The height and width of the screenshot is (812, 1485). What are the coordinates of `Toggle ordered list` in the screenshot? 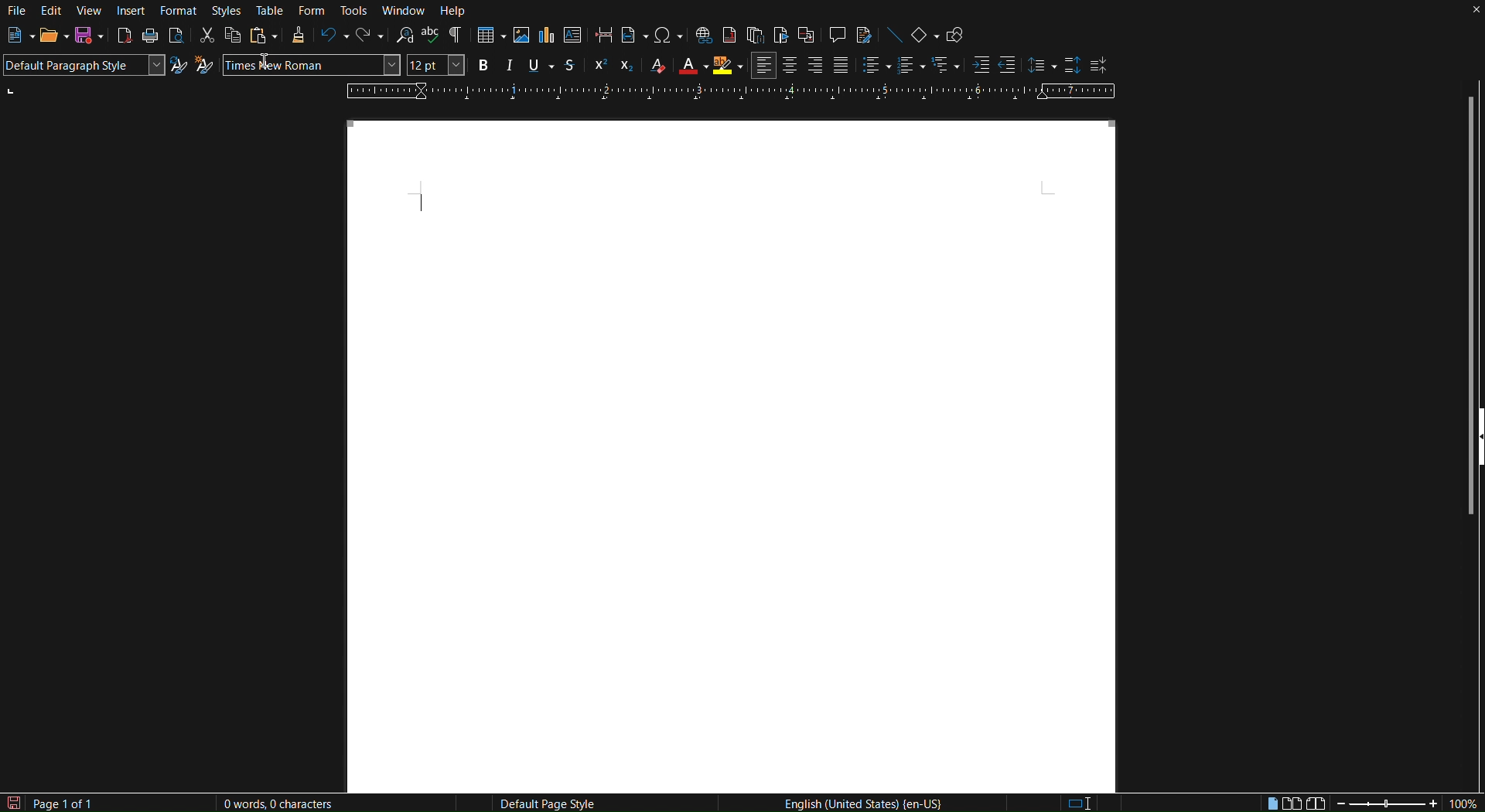 It's located at (910, 67).